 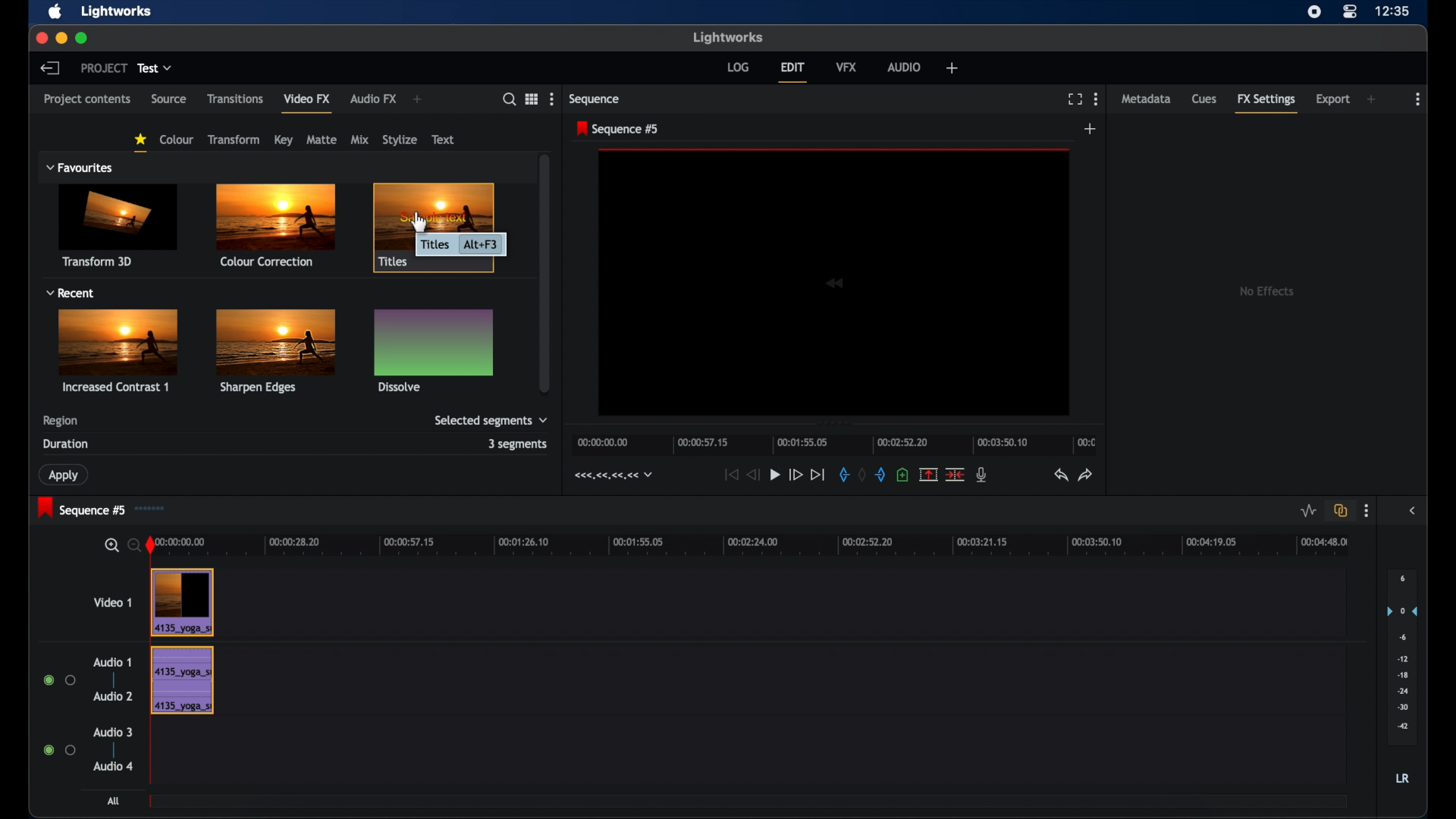 What do you see at coordinates (58, 750) in the screenshot?
I see `radio buttons` at bounding box center [58, 750].